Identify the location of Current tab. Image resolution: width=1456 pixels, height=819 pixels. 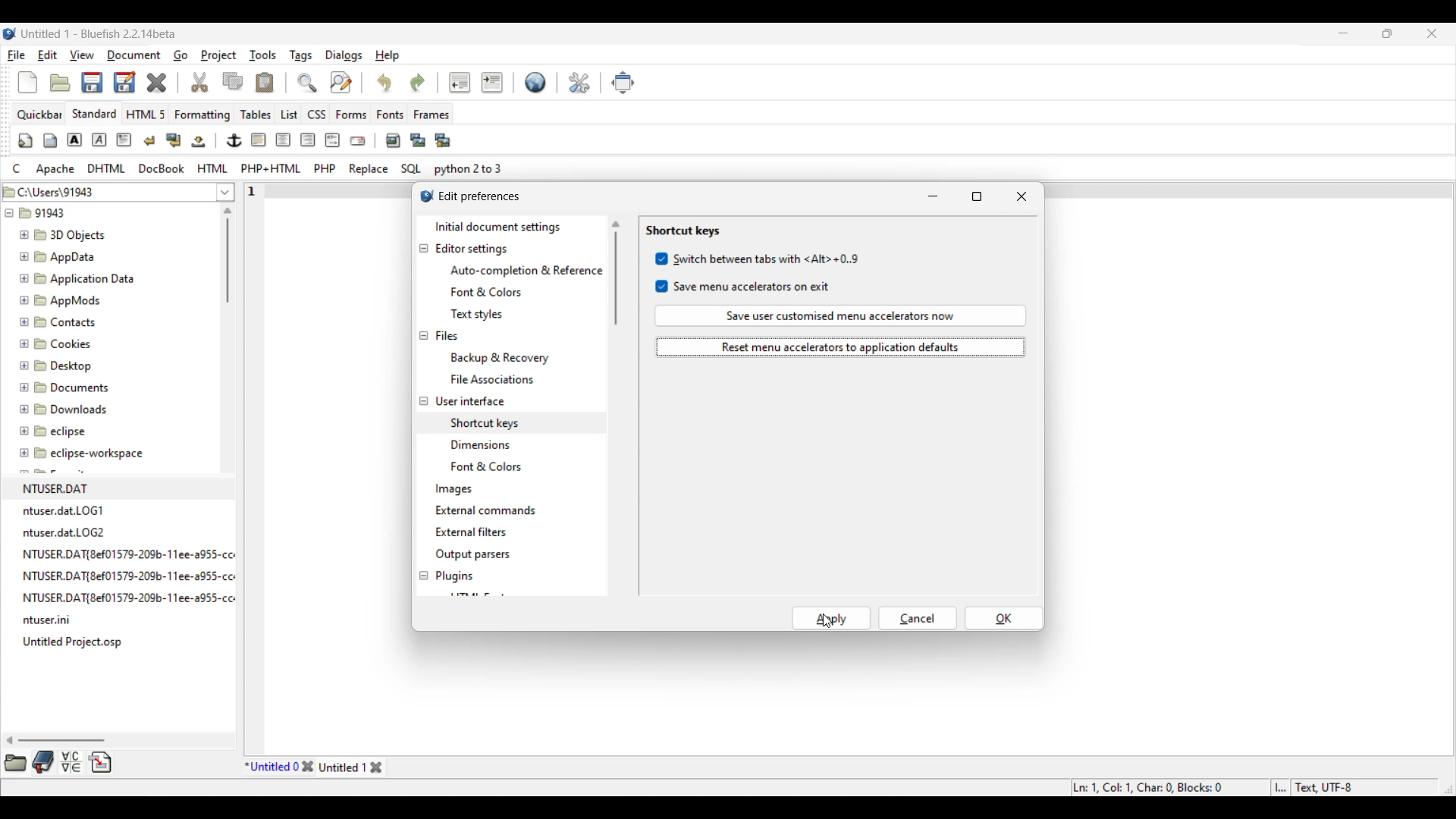
(271, 767).